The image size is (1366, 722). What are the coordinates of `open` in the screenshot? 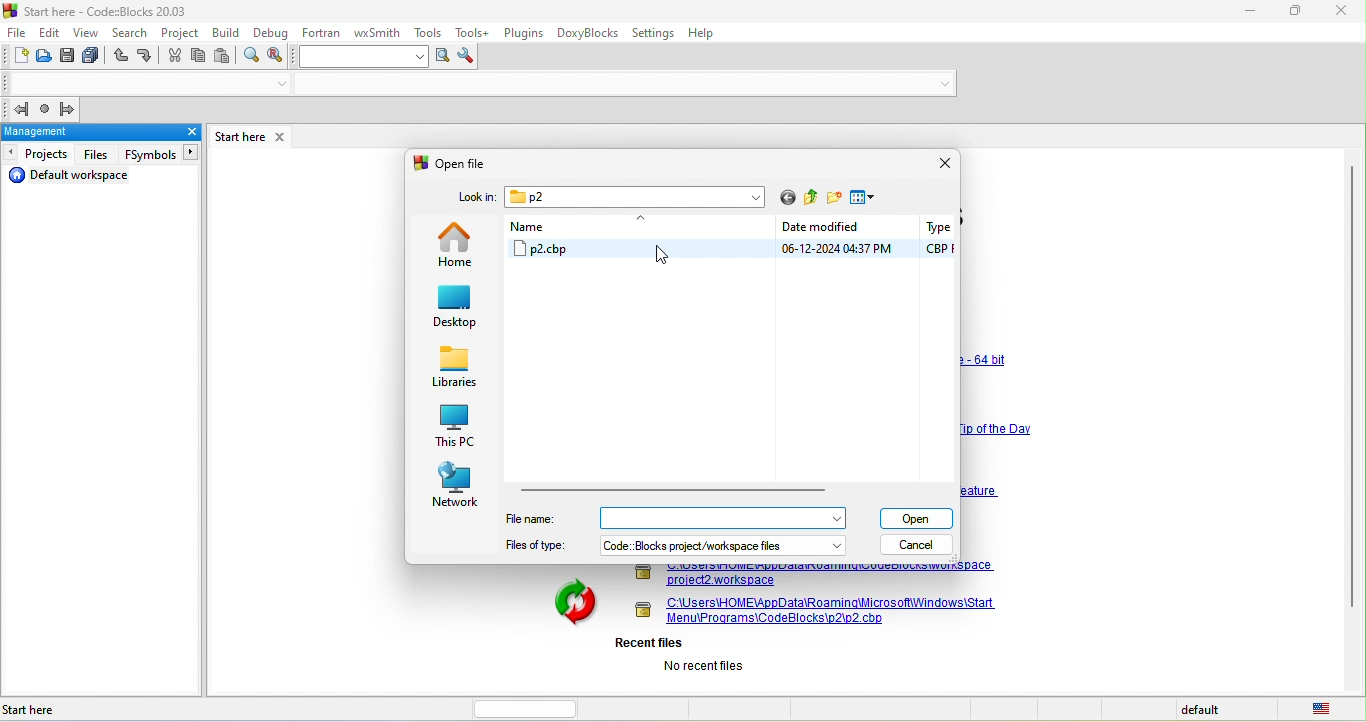 It's located at (915, 518).